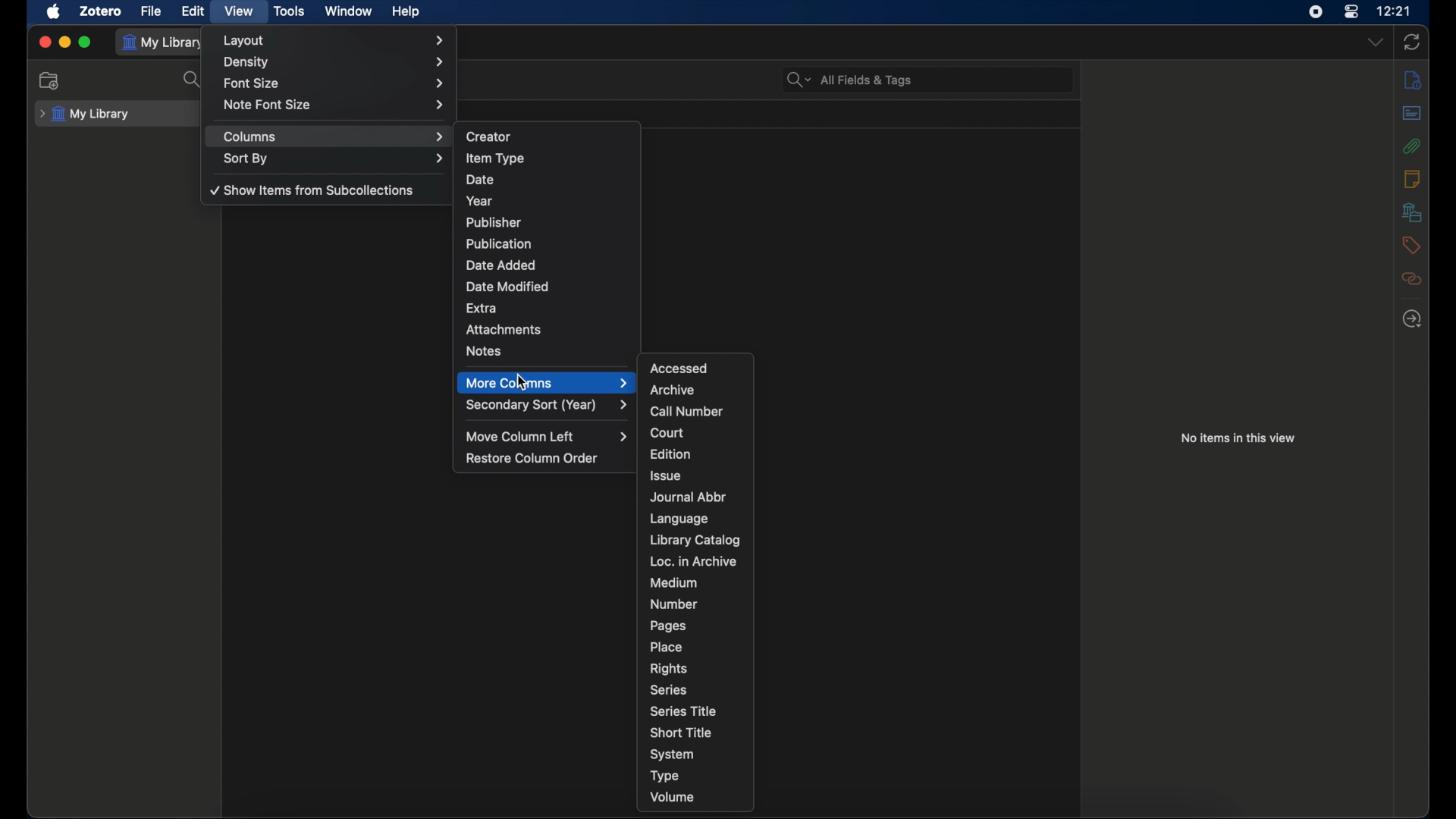 This screenshot has width=1456, height=819. What do you see at coordinates (334, 105) in the screenshot?
I see `note font size` at bounding box center [334, 105].